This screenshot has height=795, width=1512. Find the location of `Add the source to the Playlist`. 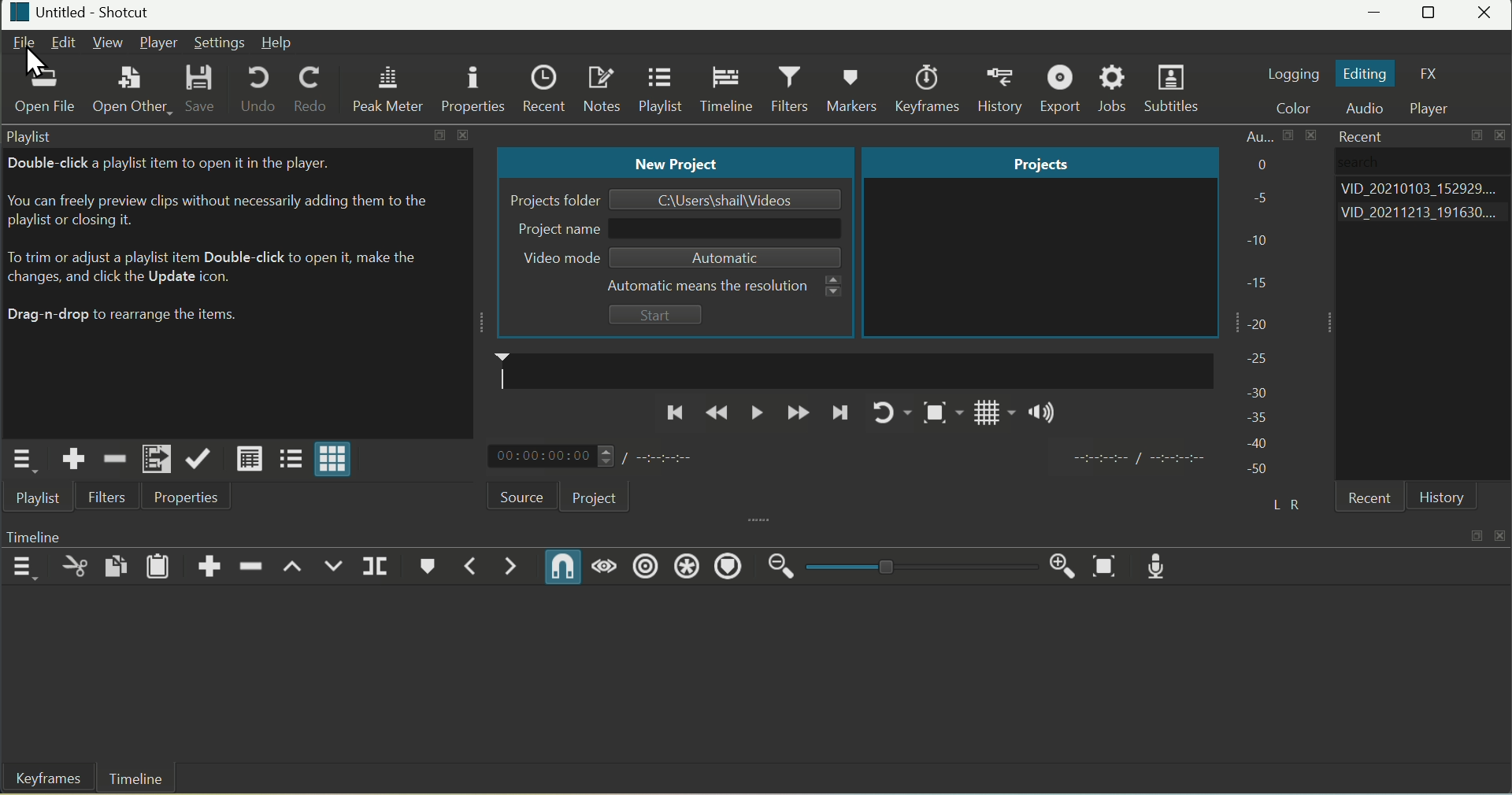

Add the source to the Playlist is located at coordinates (74, 459).